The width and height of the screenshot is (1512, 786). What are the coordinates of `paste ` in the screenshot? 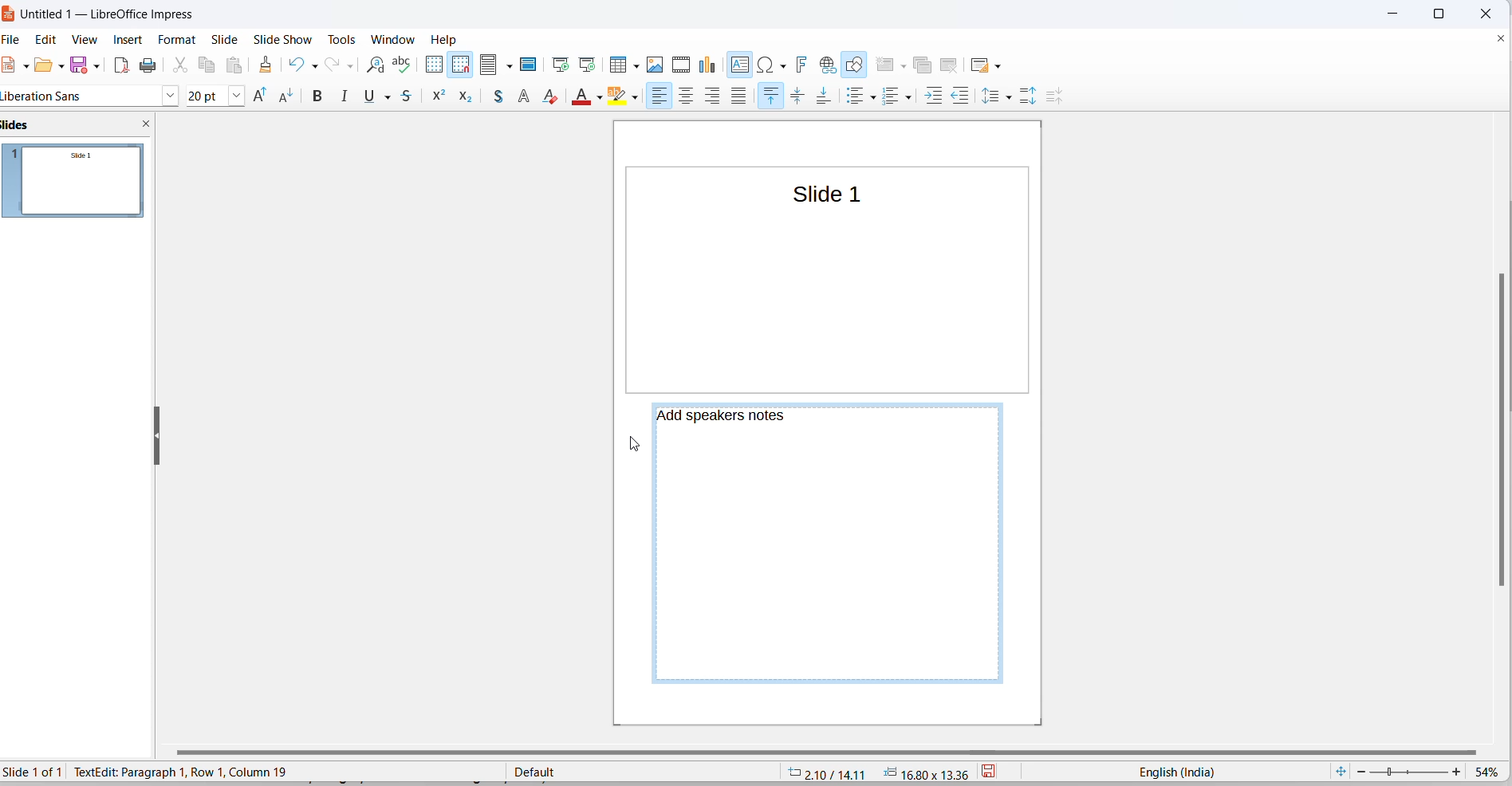 It's located at (238, 65).